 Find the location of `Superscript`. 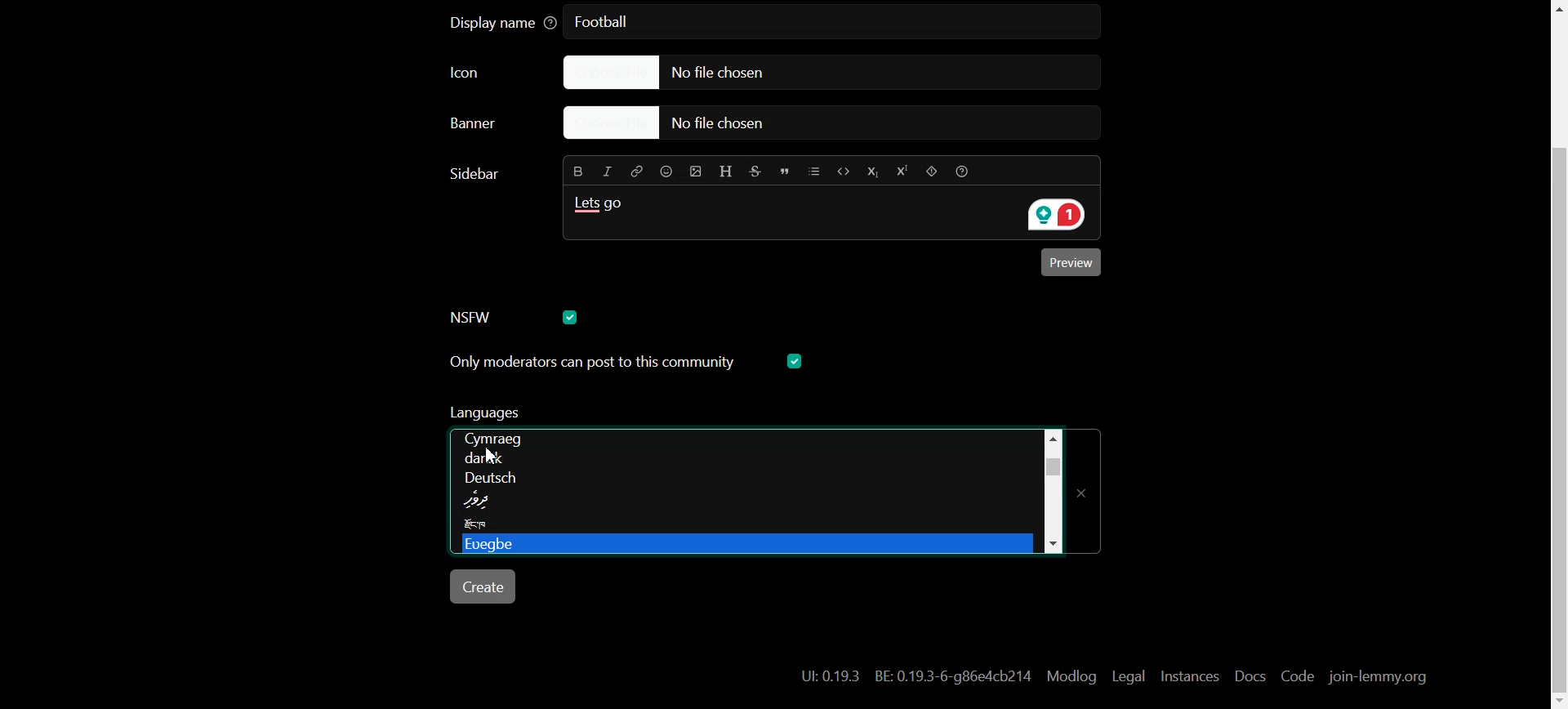

Superscript is located at coordinates (901, 172).